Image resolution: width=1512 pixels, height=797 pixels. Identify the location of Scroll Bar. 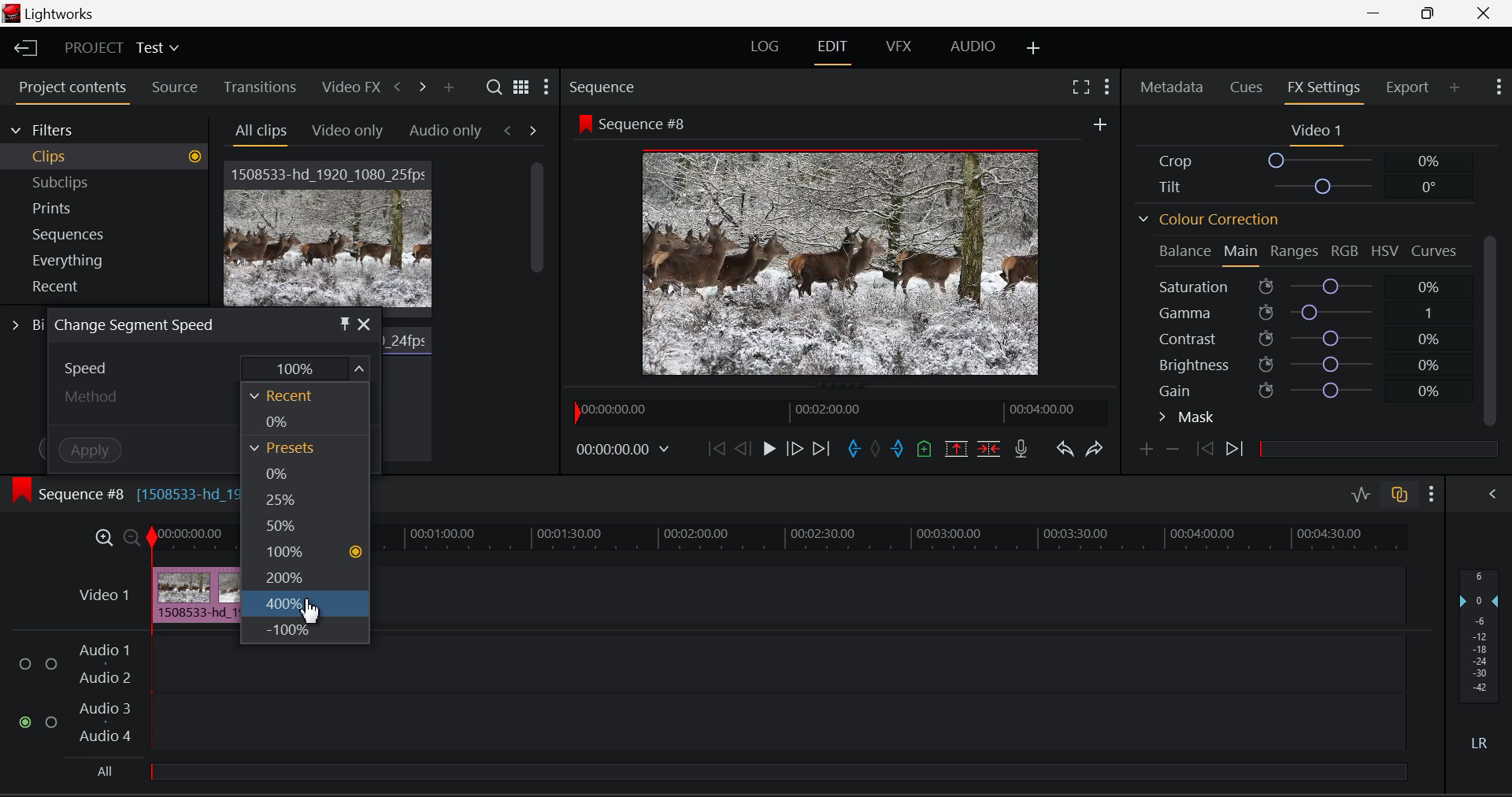
(1489, 332).